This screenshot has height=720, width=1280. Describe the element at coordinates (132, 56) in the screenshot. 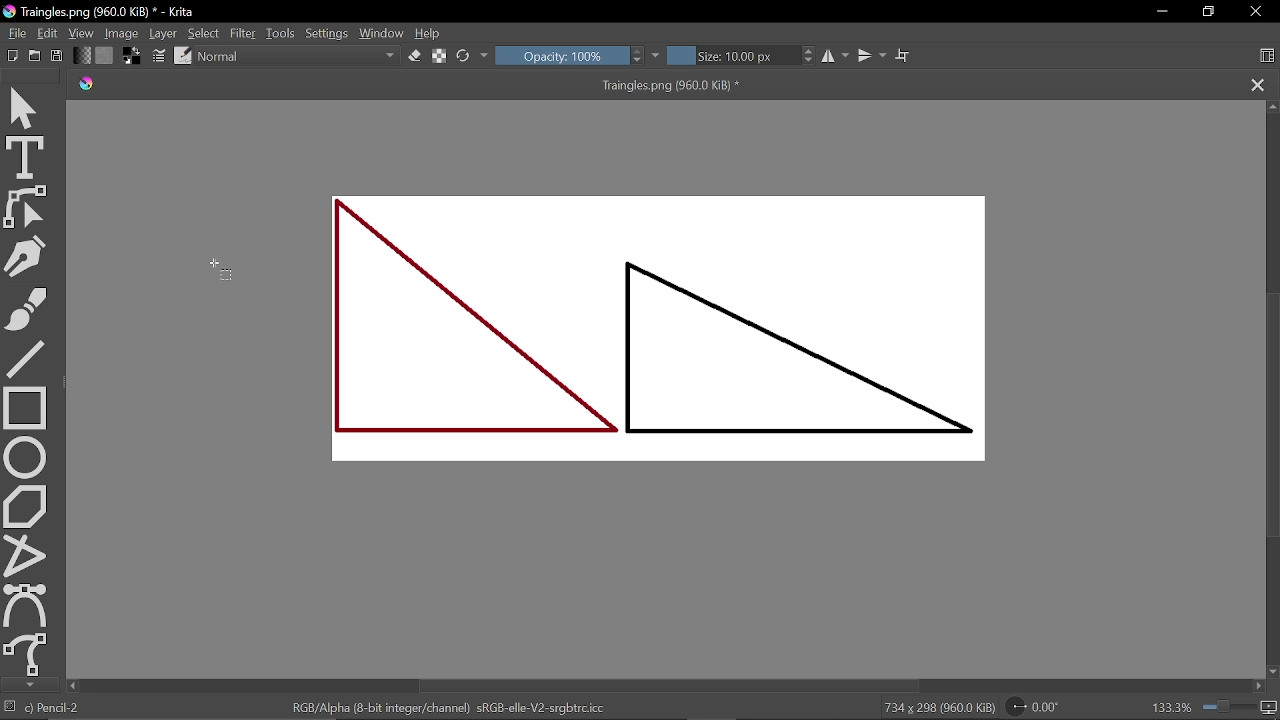

I see `Background color` at that location.